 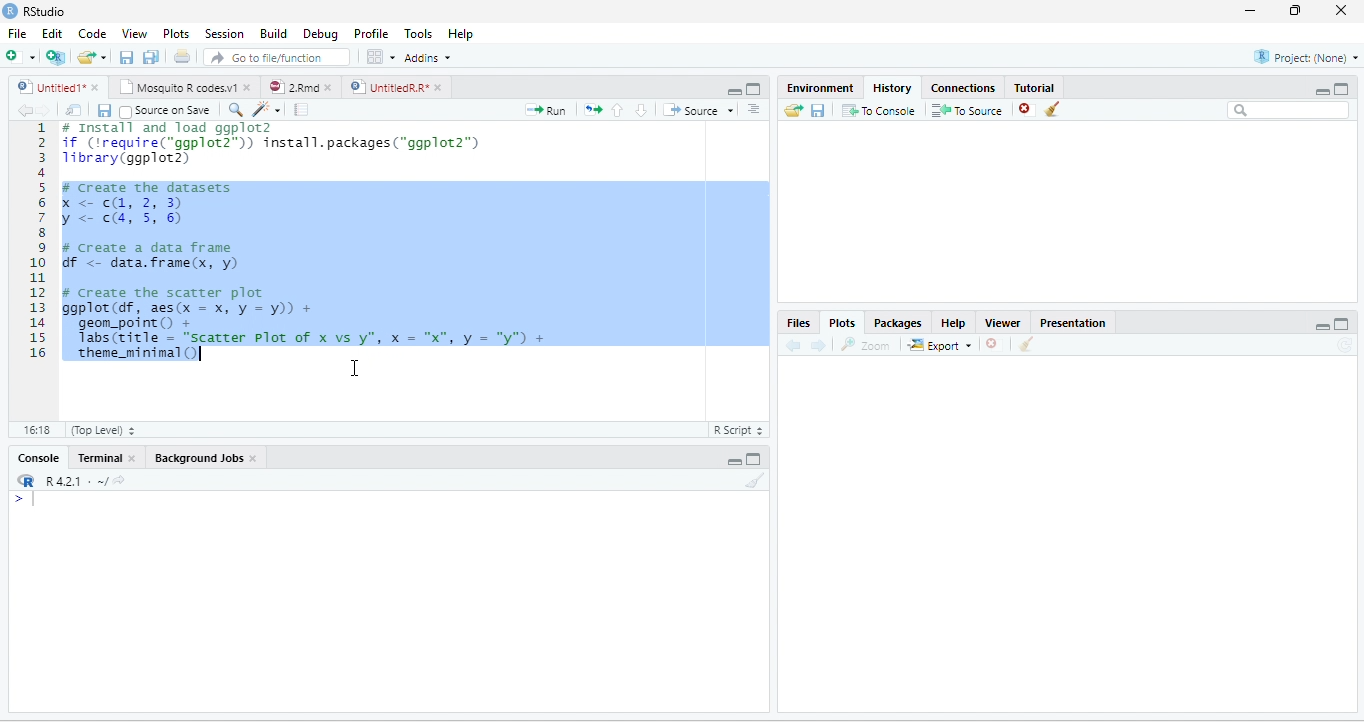 I want to click on To Source, so click(x=968, y=111).